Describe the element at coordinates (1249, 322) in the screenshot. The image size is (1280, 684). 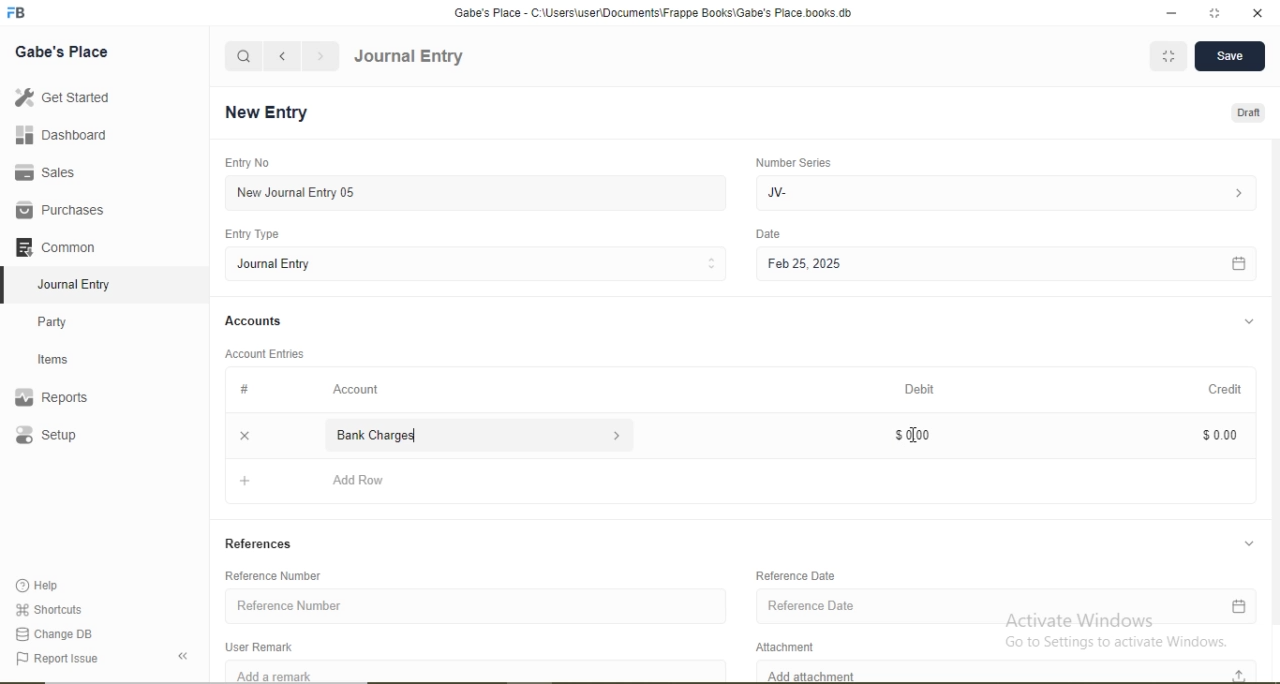
I see `collapse/expand` at that location.